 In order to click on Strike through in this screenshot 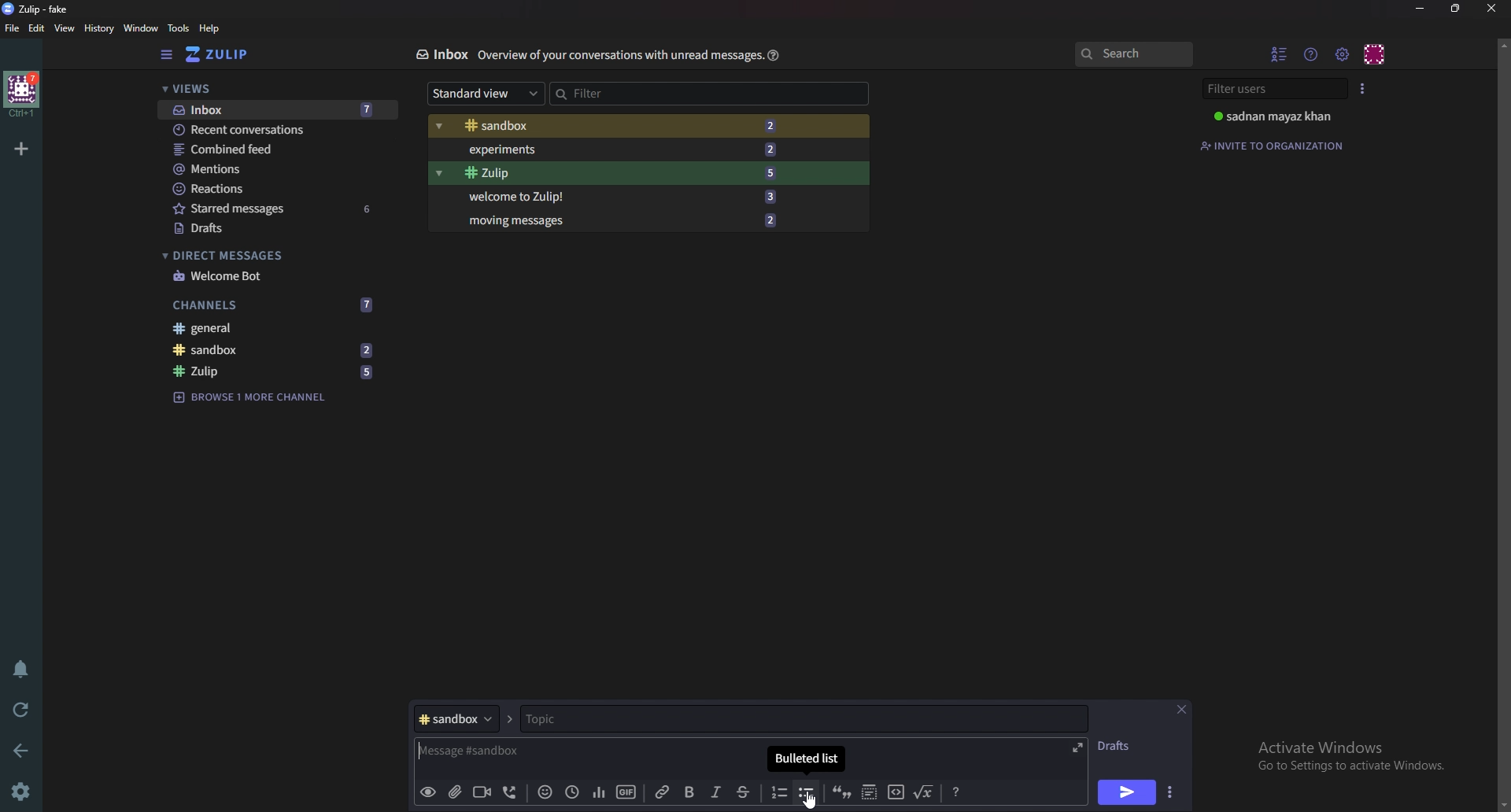, I will do `click(743, 792)`.